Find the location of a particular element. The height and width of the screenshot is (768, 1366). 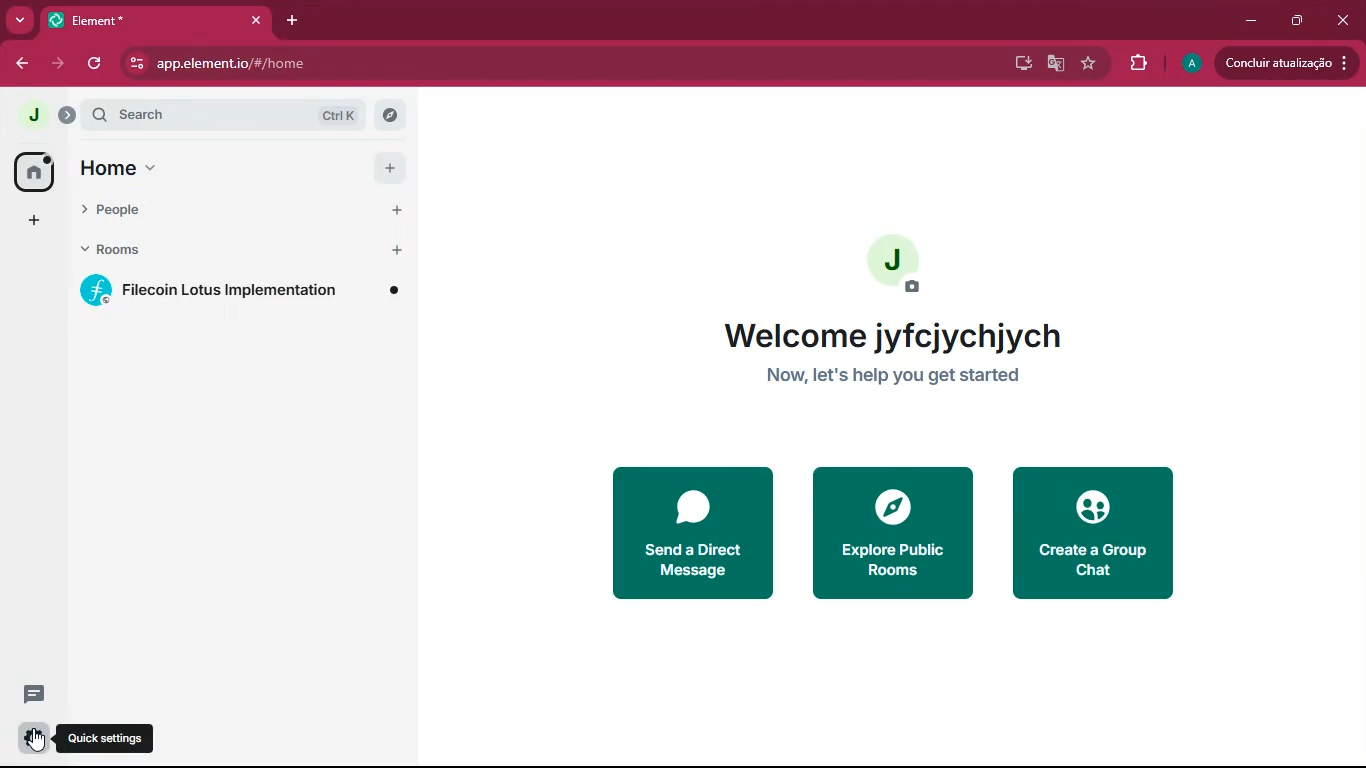

refresh is located at coordinates (102, 63).